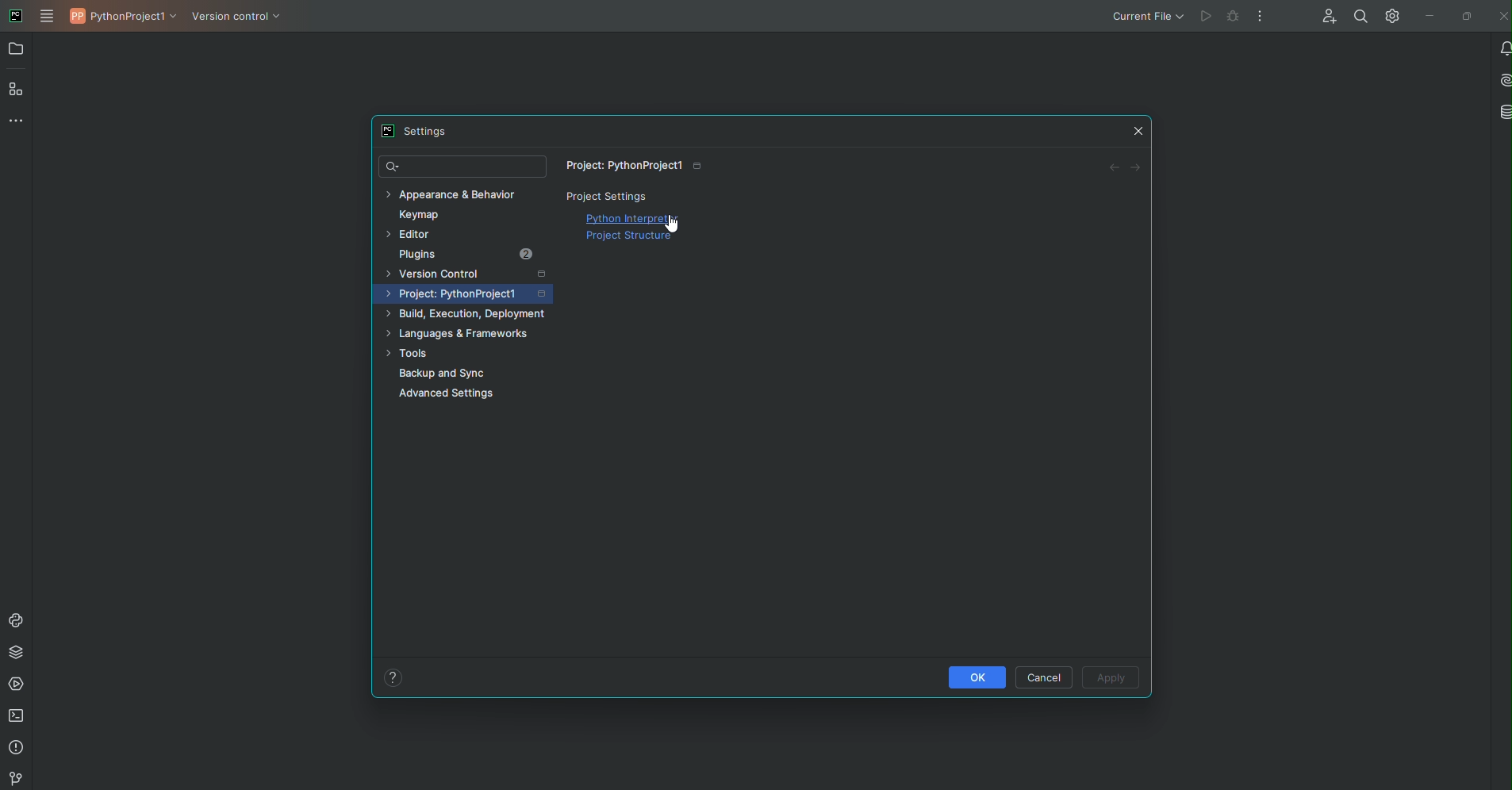 The height and width of the screenshot is (790, 1512). What do you see at coordinates (15, 654) in the screenshot?
I see `Packages` at bounding box center [15, 654].